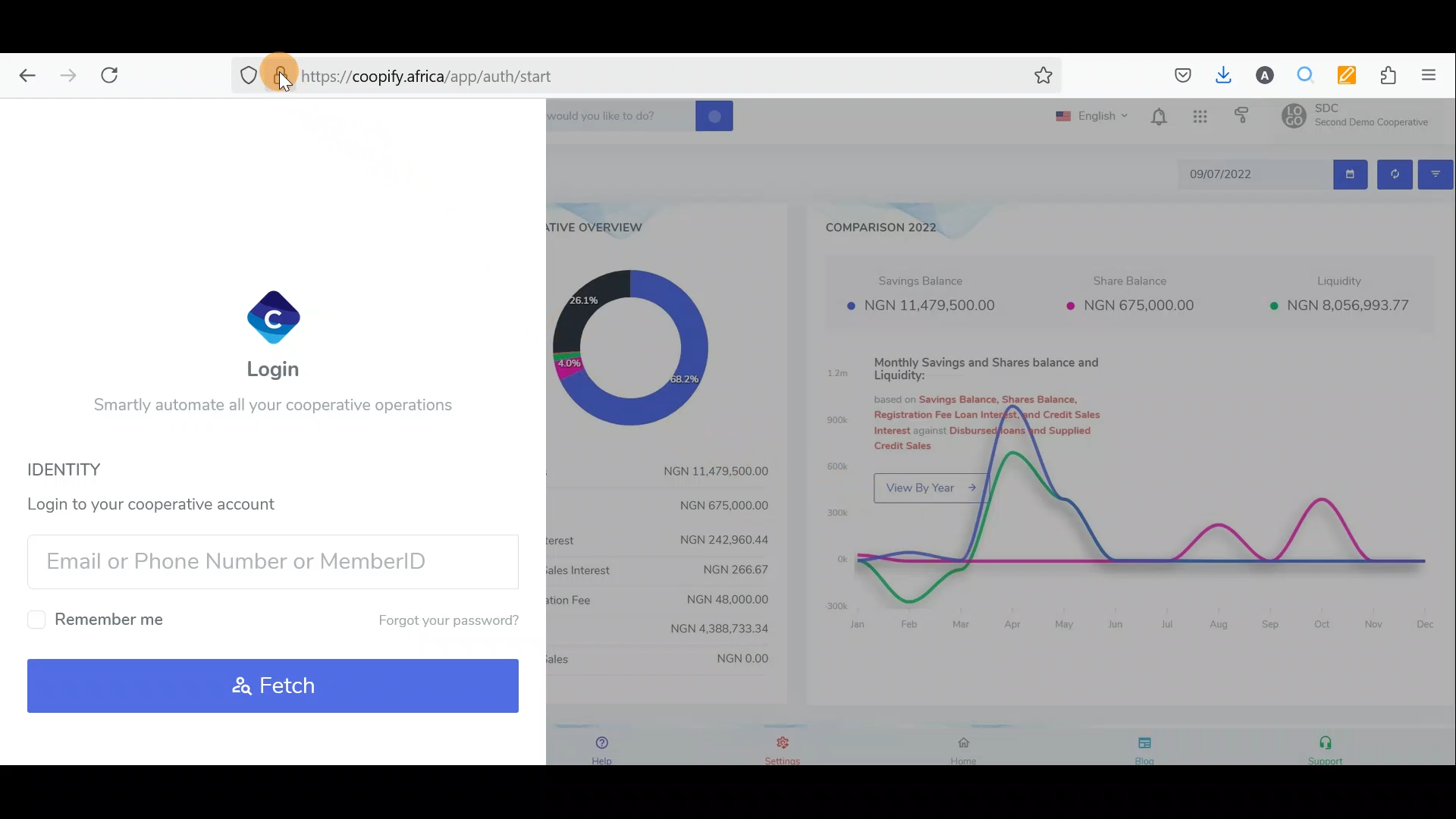  Describe the element at coordinates (1433, 76) in the screenshot. I see `Open application menu` at that location.